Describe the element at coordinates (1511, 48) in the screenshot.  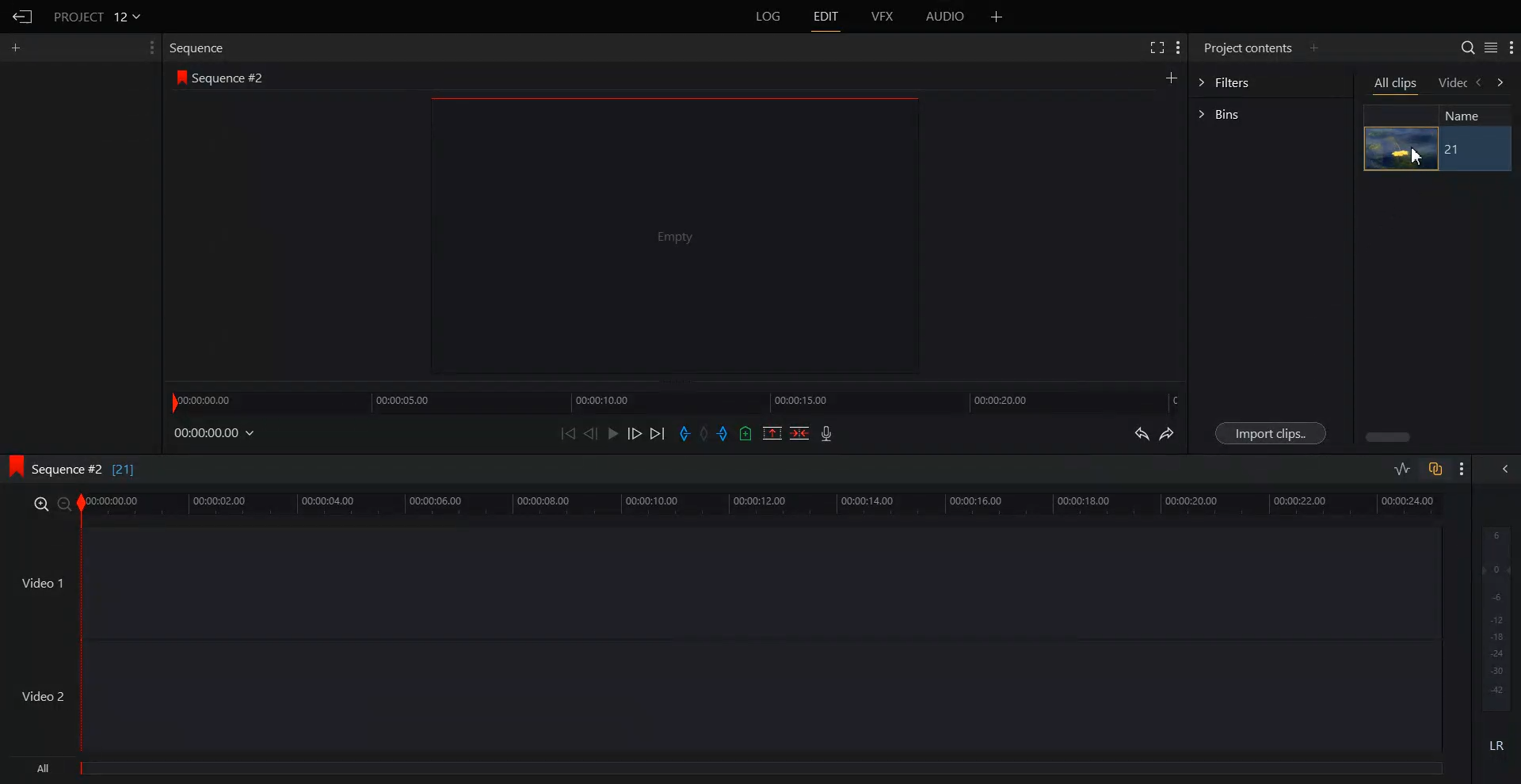
I see `Show Setting Menu` at that location.